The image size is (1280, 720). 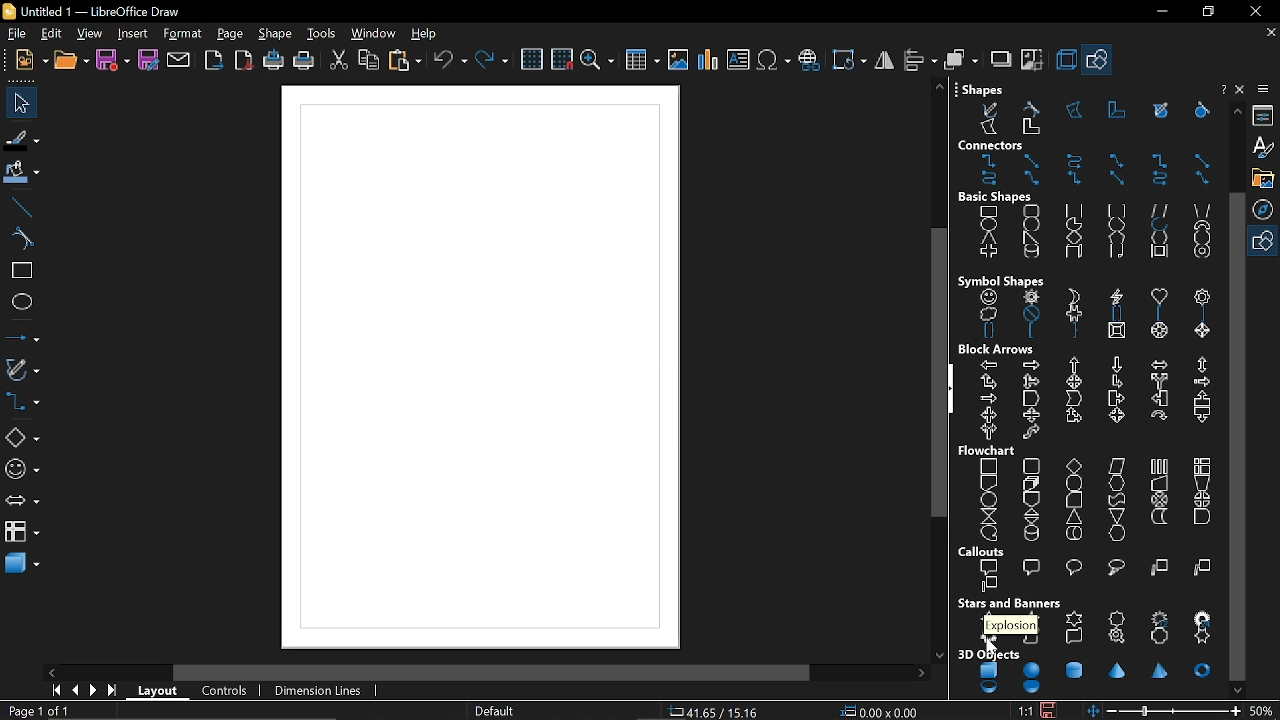 What do you see at coordinates (1266, 89) in the screenshot?
I see `Sidebar settings` at bounding box center [1266, 89].